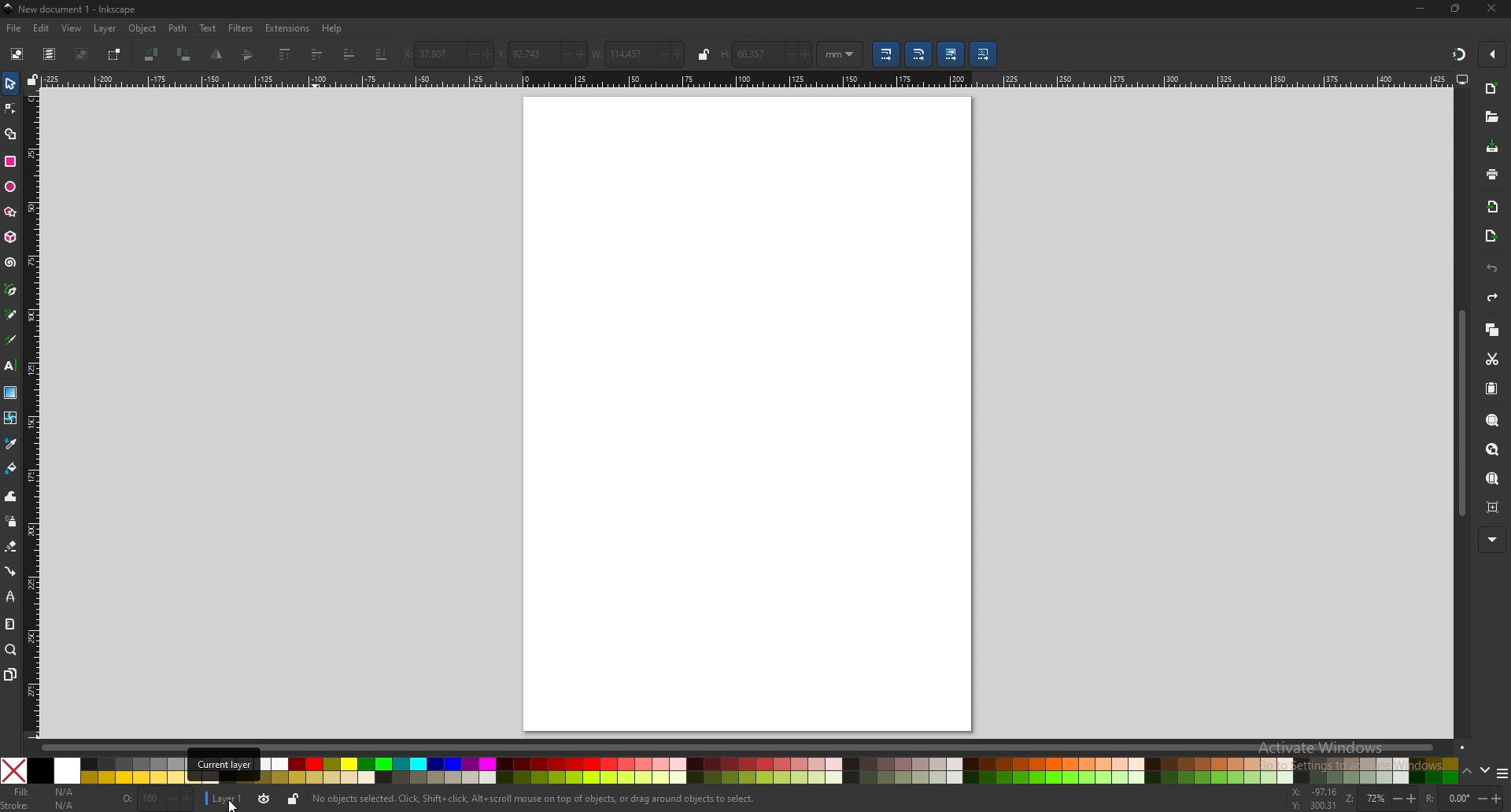  Describe the element at coordinates (754, 748) in the screenshot. I see `scroll bar` at that location.